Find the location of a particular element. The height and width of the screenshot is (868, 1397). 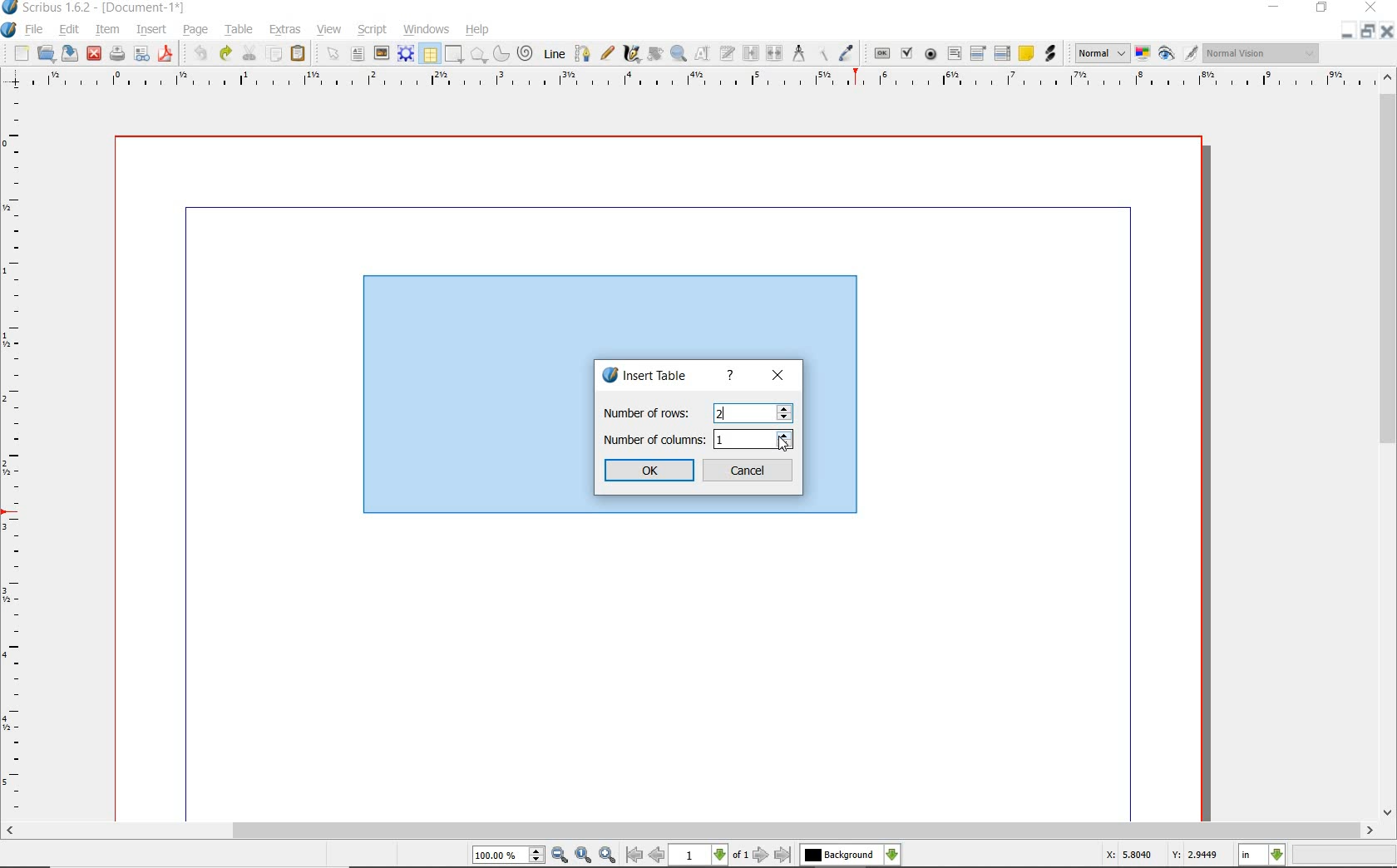

close is located at coordinates (93, 52).